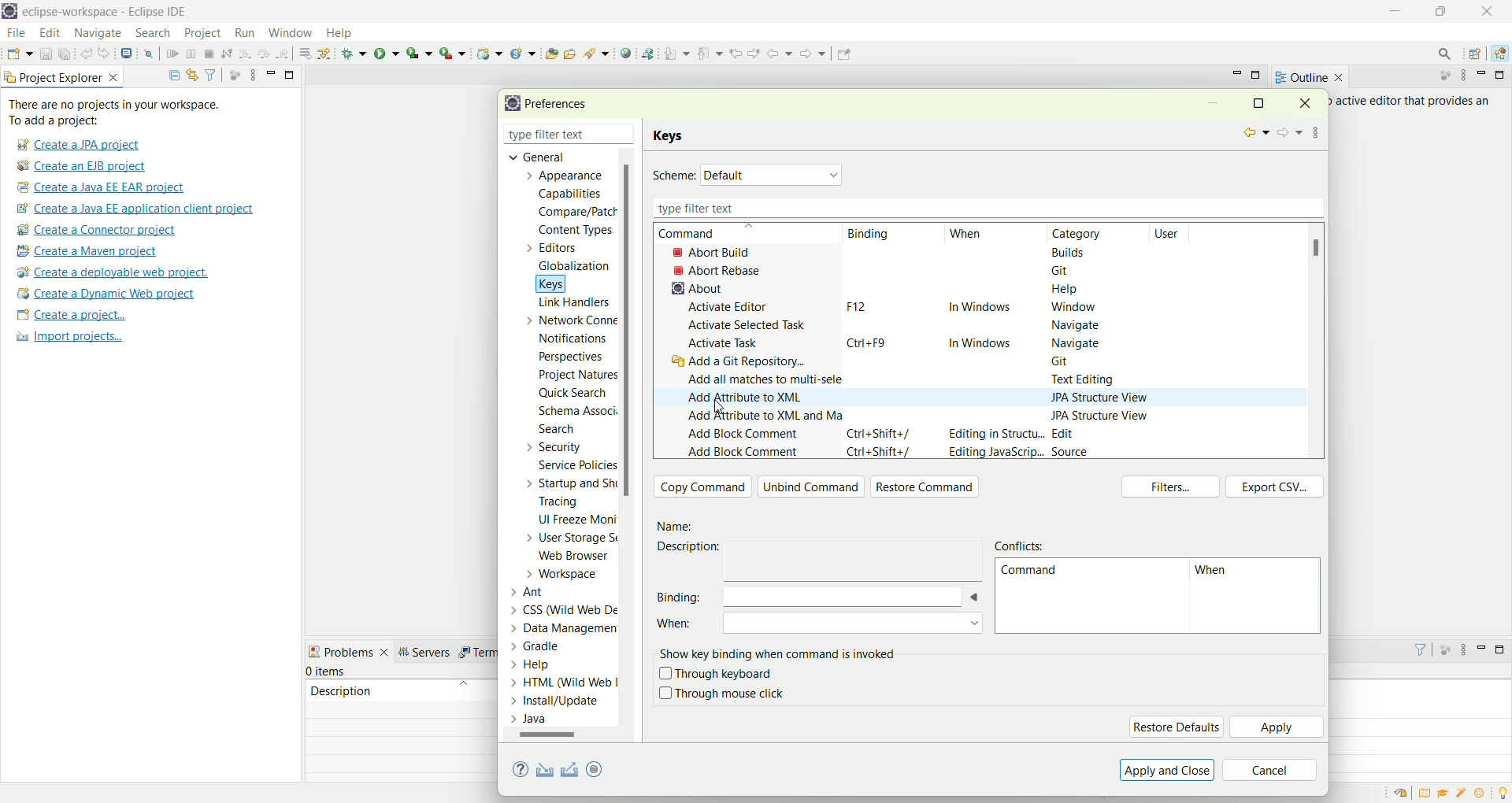  I want to click on previous annotation, so click(713, 52).